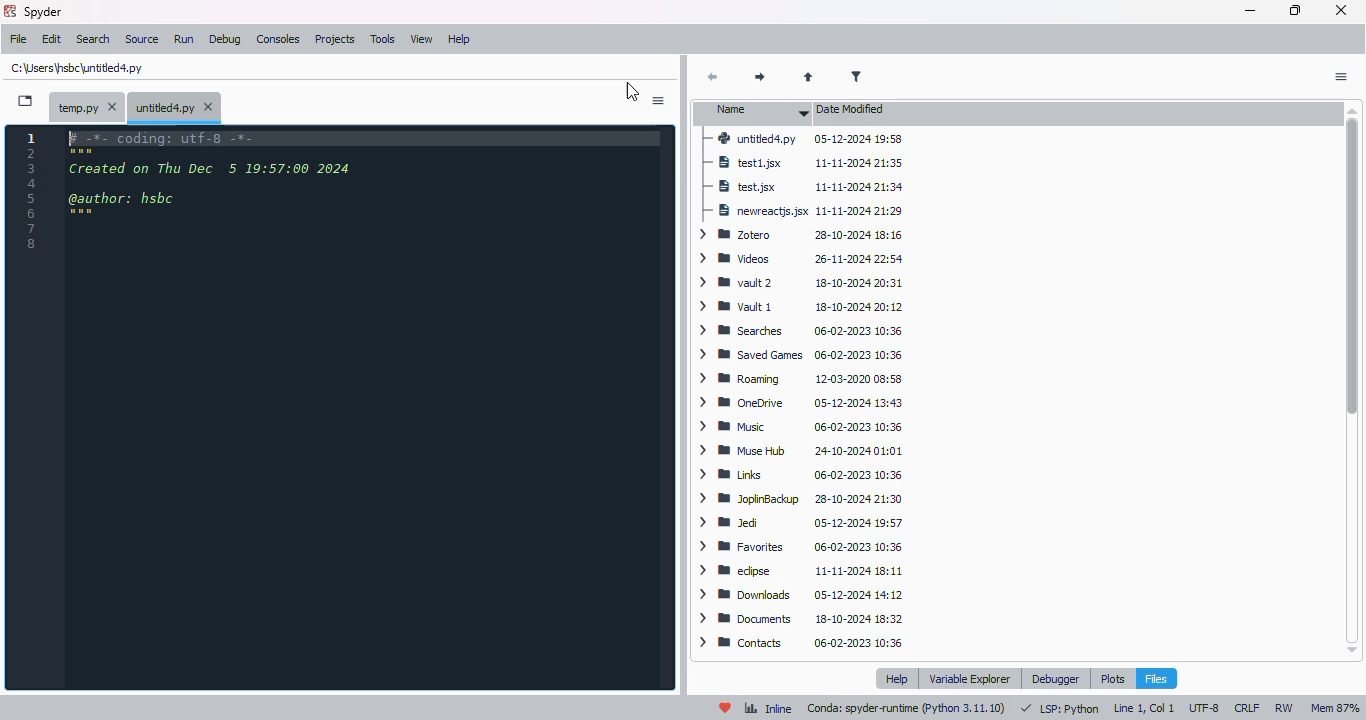  What do you see at coordinates (1055, 679) in the screenshot?
I see `debugger` at bounding box center [1055, 679].